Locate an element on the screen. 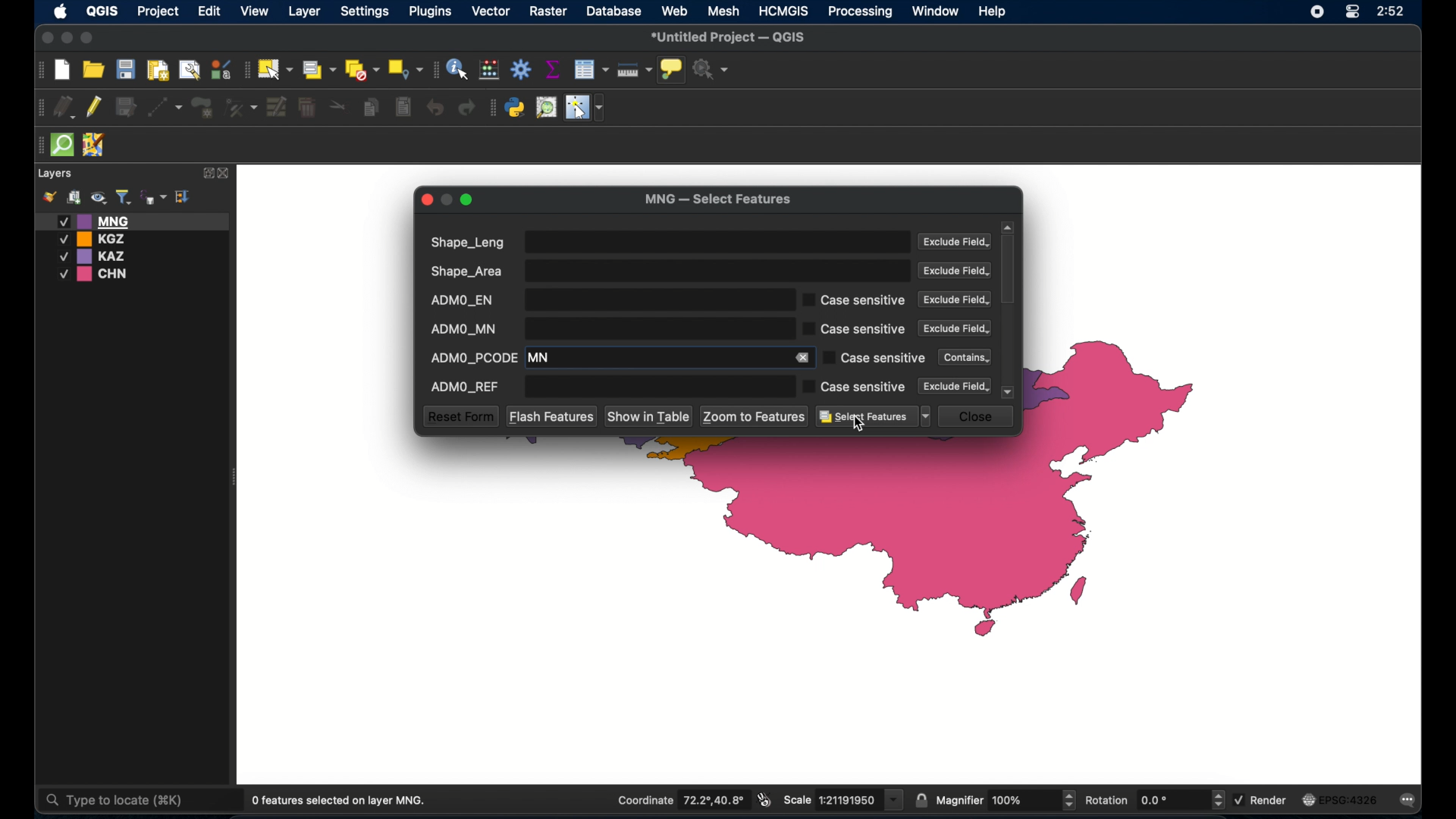 This screenshot has width=1456, height=819. exclude field is located at coordinates (956, 386).